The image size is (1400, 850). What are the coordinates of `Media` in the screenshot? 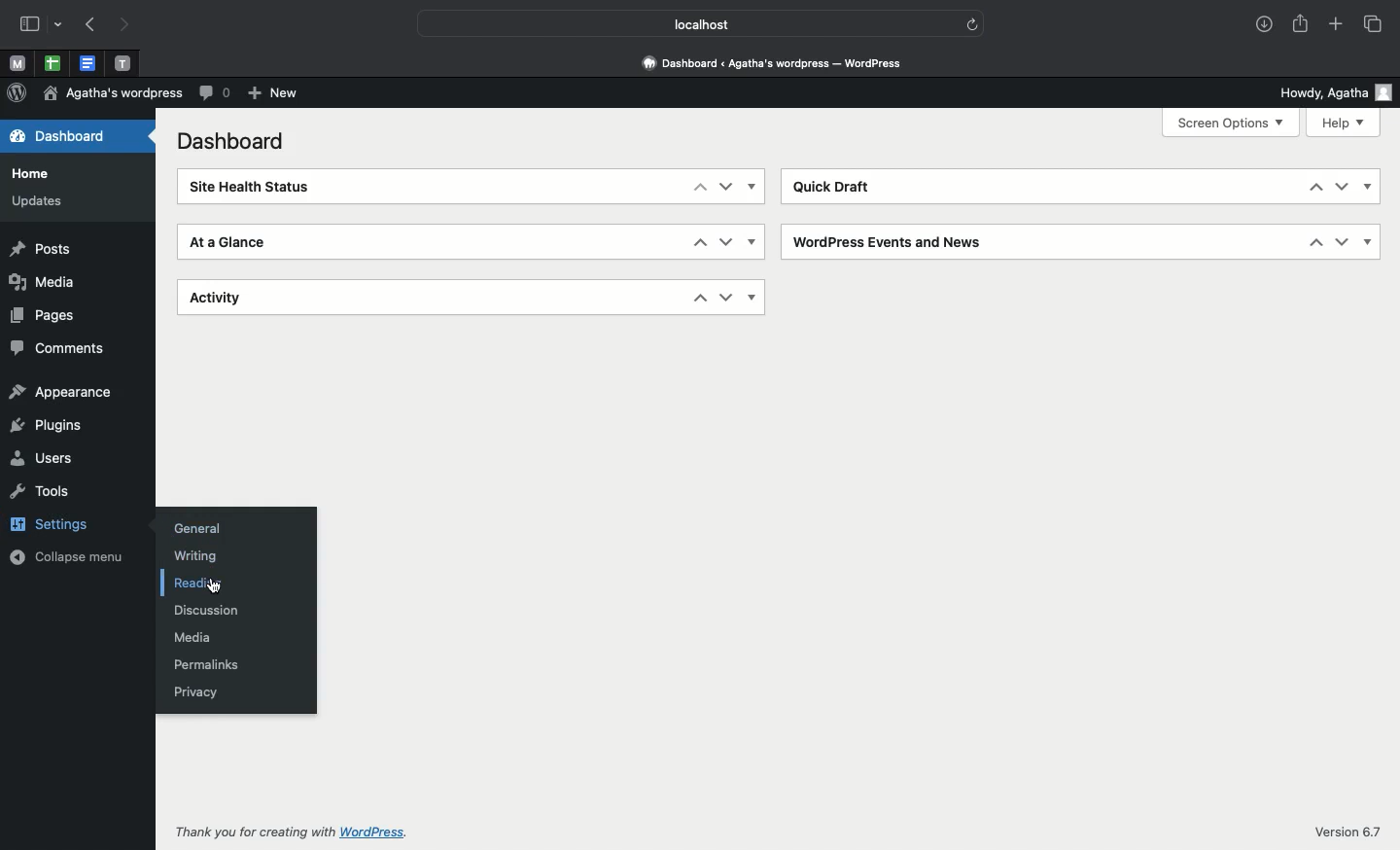 It's located at (43, 282).